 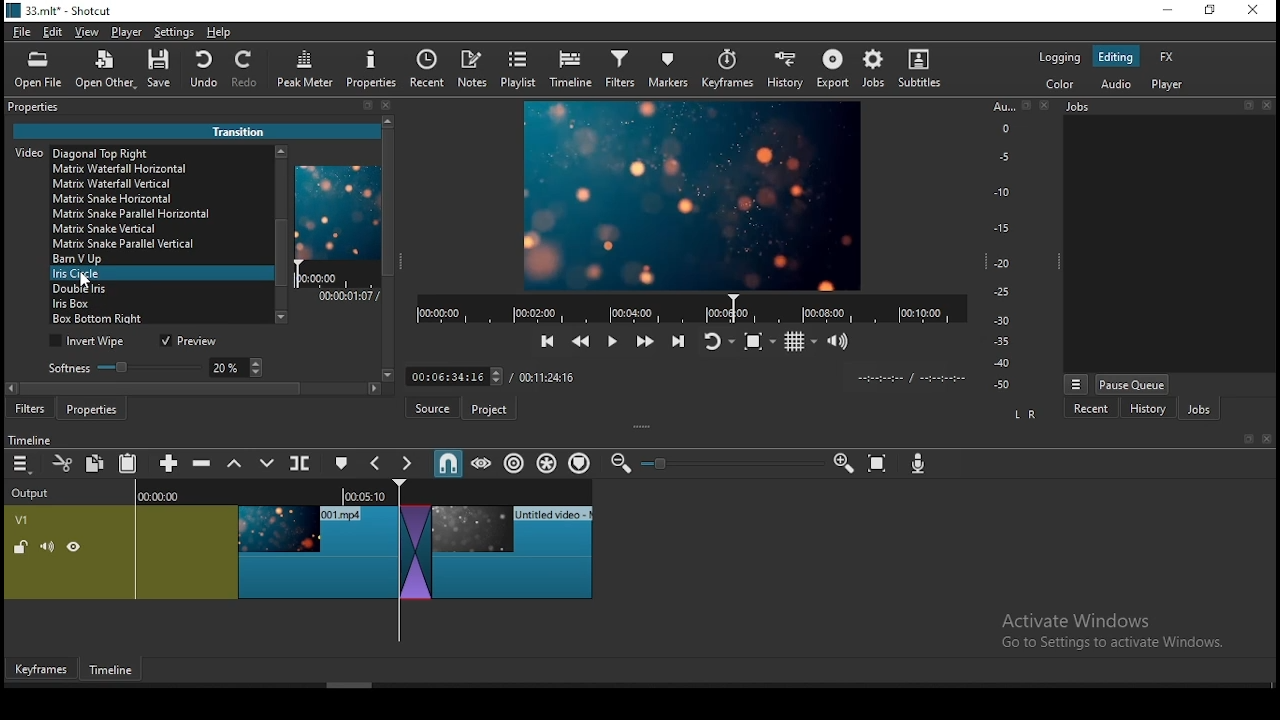 What do you see at coordinates (1250, 106) in the screenshot?
I see `` at bounding box center [1250, 106].